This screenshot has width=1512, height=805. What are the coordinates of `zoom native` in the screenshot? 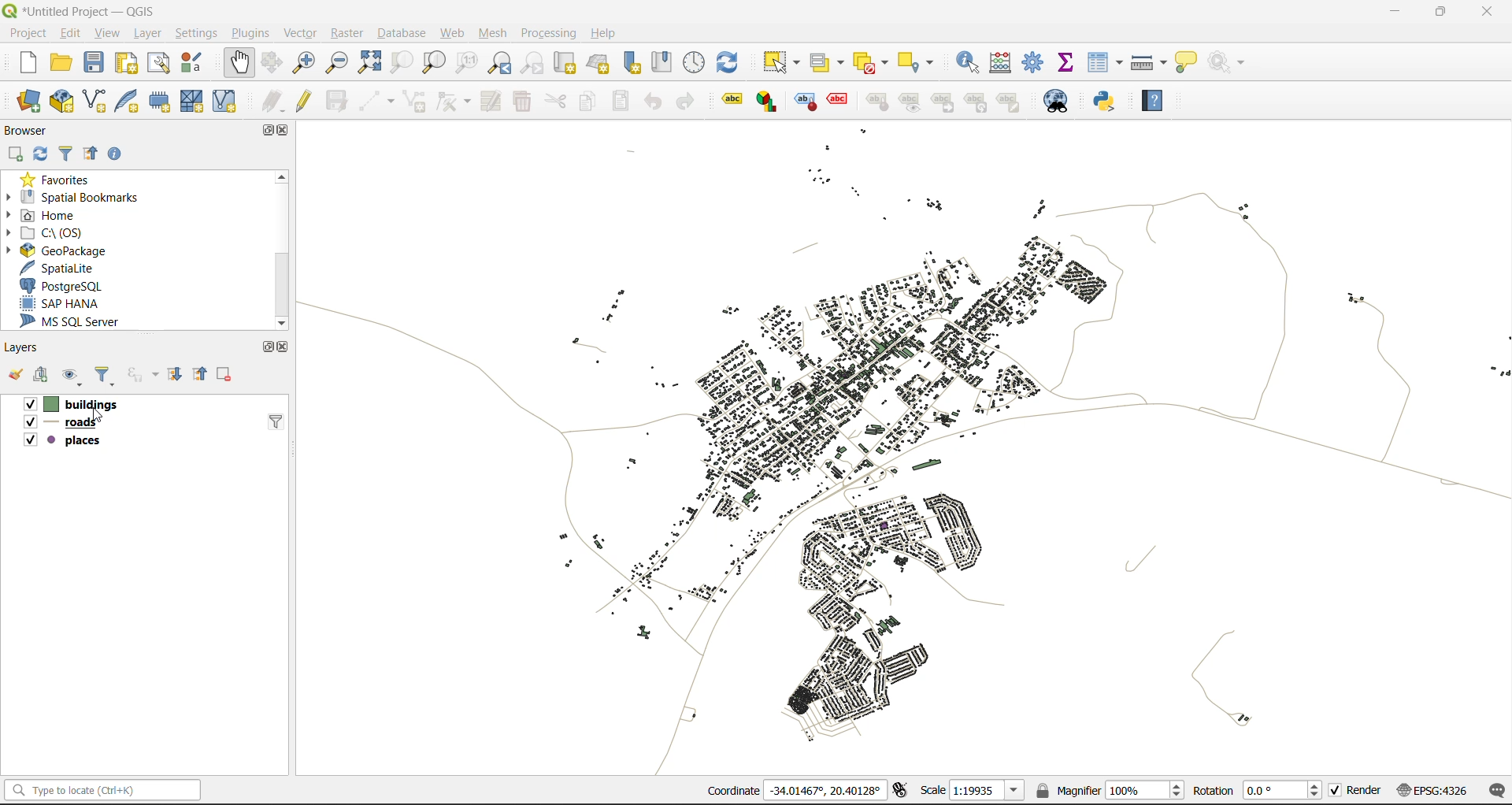 It's located at (469, 61).